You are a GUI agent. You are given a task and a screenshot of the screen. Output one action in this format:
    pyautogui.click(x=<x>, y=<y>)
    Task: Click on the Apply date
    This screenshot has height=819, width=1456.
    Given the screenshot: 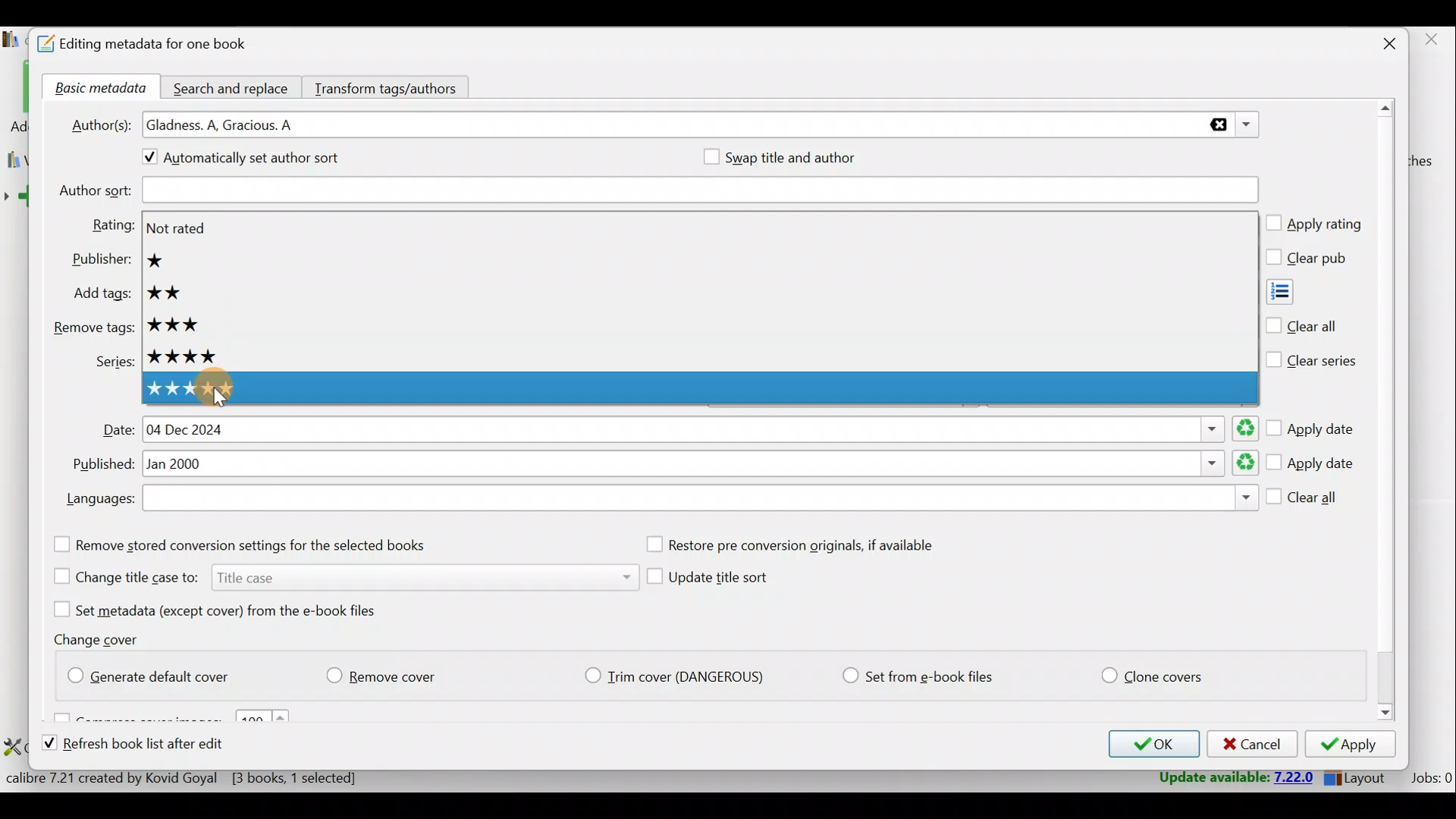 What is the action you would take?
    pyautogui.click(x=1311, y=464)
    